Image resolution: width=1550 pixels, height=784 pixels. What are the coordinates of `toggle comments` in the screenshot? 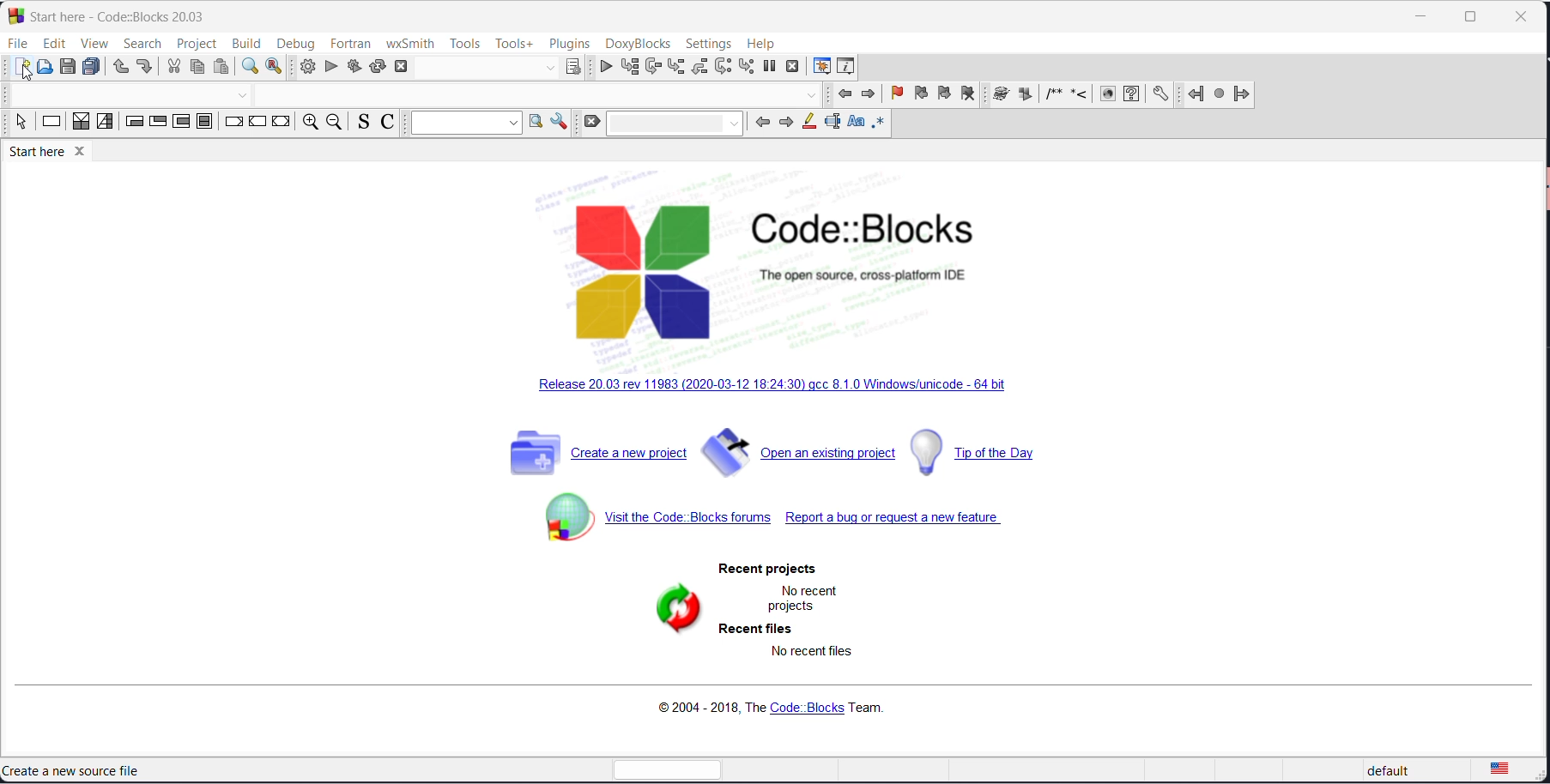 It's located at (390, 122).